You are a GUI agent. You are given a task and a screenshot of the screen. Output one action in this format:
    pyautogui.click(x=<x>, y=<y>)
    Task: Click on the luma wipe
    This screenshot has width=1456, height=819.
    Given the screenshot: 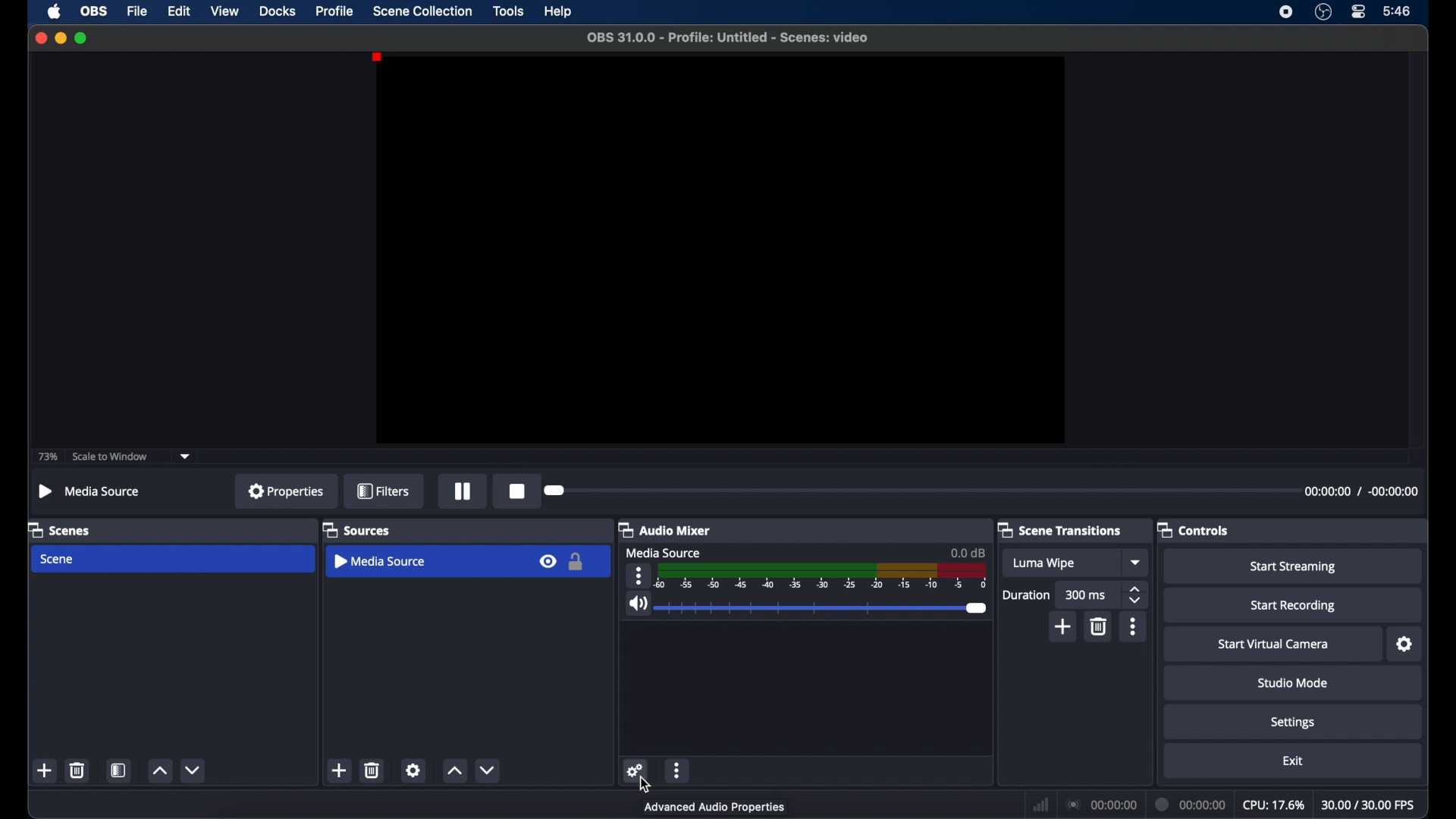 What is the action you would take?
    pyautogui.click(x=1043, y=563)
    